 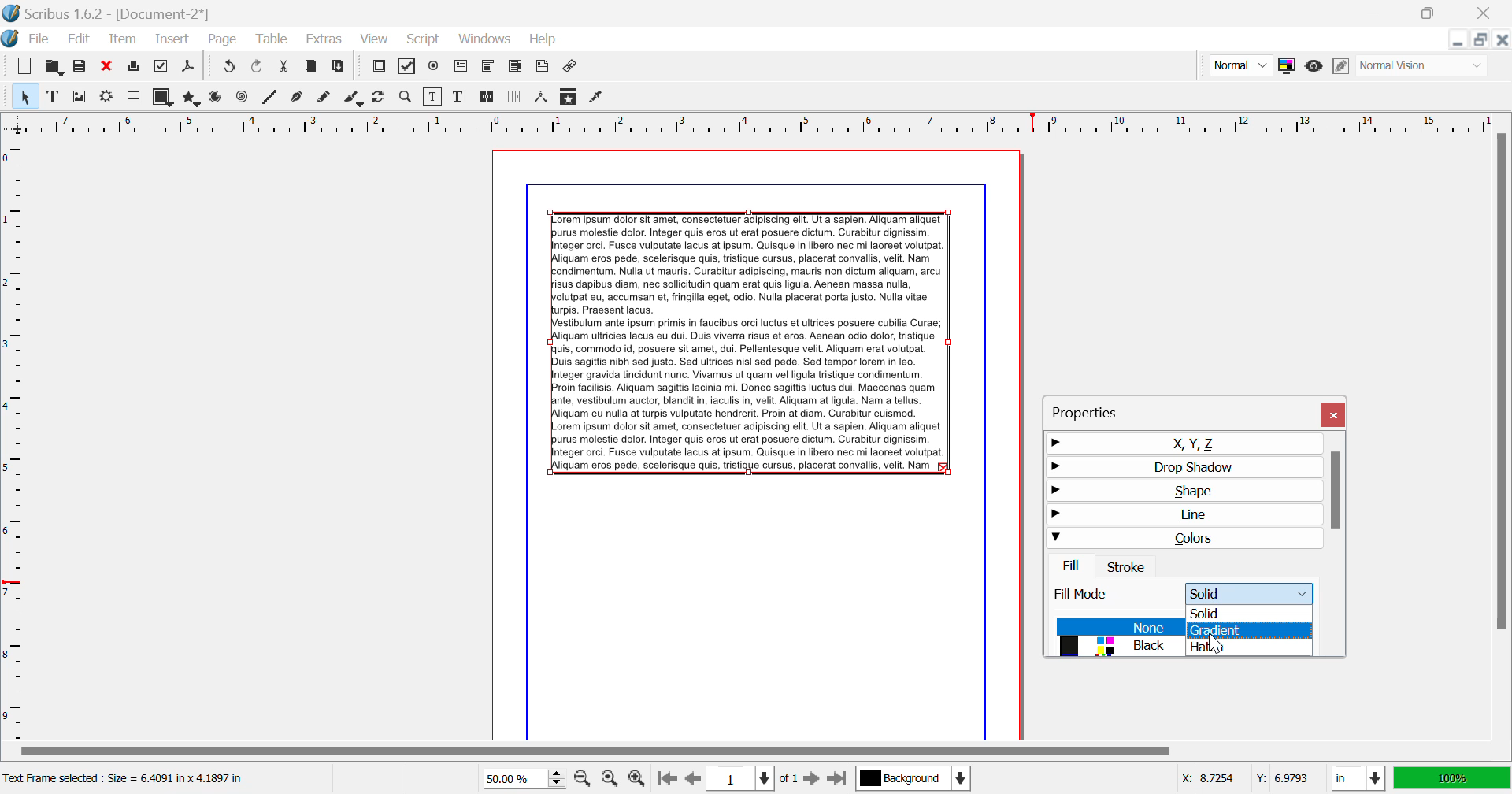 What do you see at coordinates (135, 66) in the screenshot?
I see `Print` at bounding box center [135, 66].